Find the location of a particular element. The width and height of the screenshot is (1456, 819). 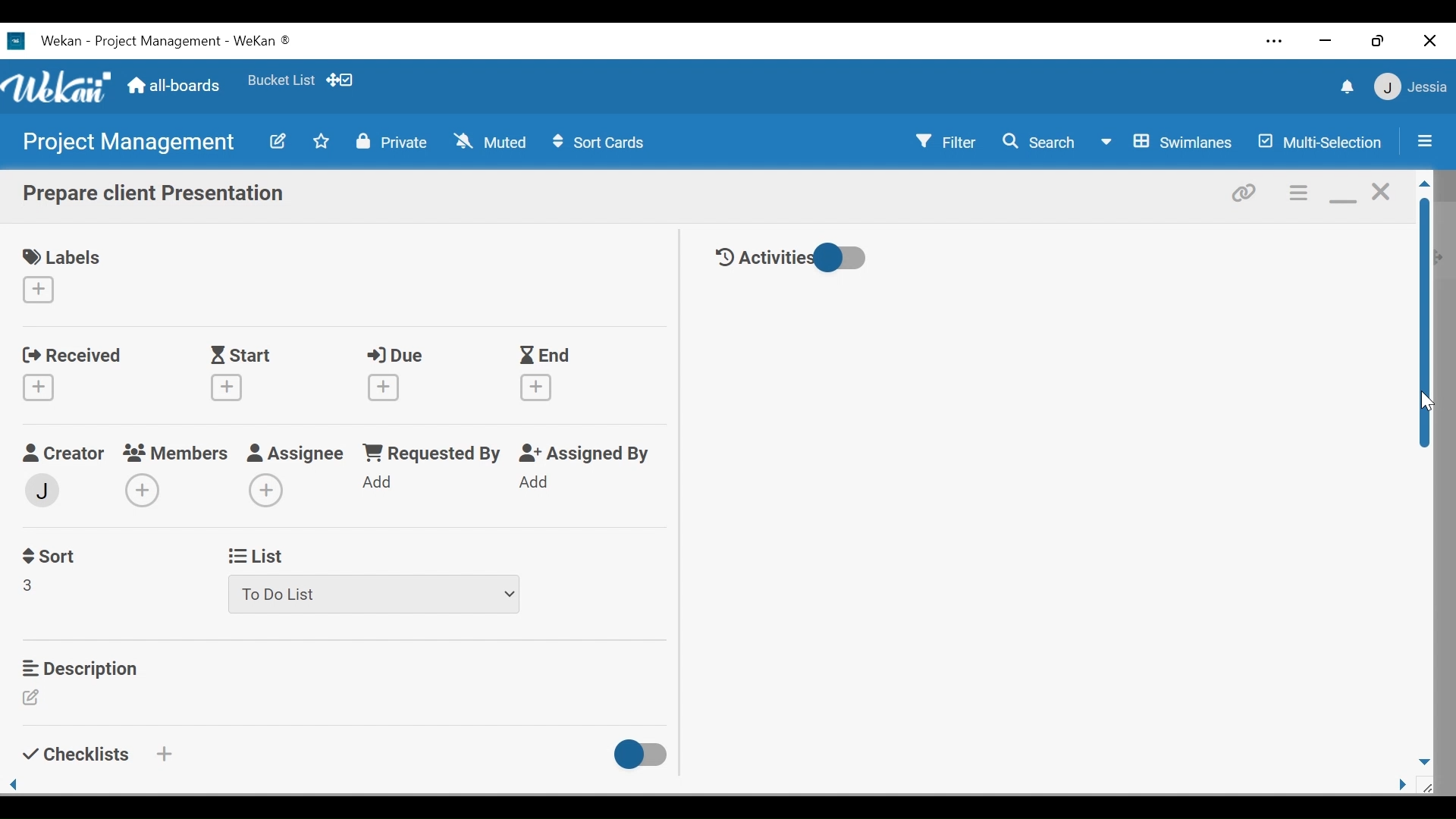

Show Desktop drag handles is located at coordinates (340, 80).